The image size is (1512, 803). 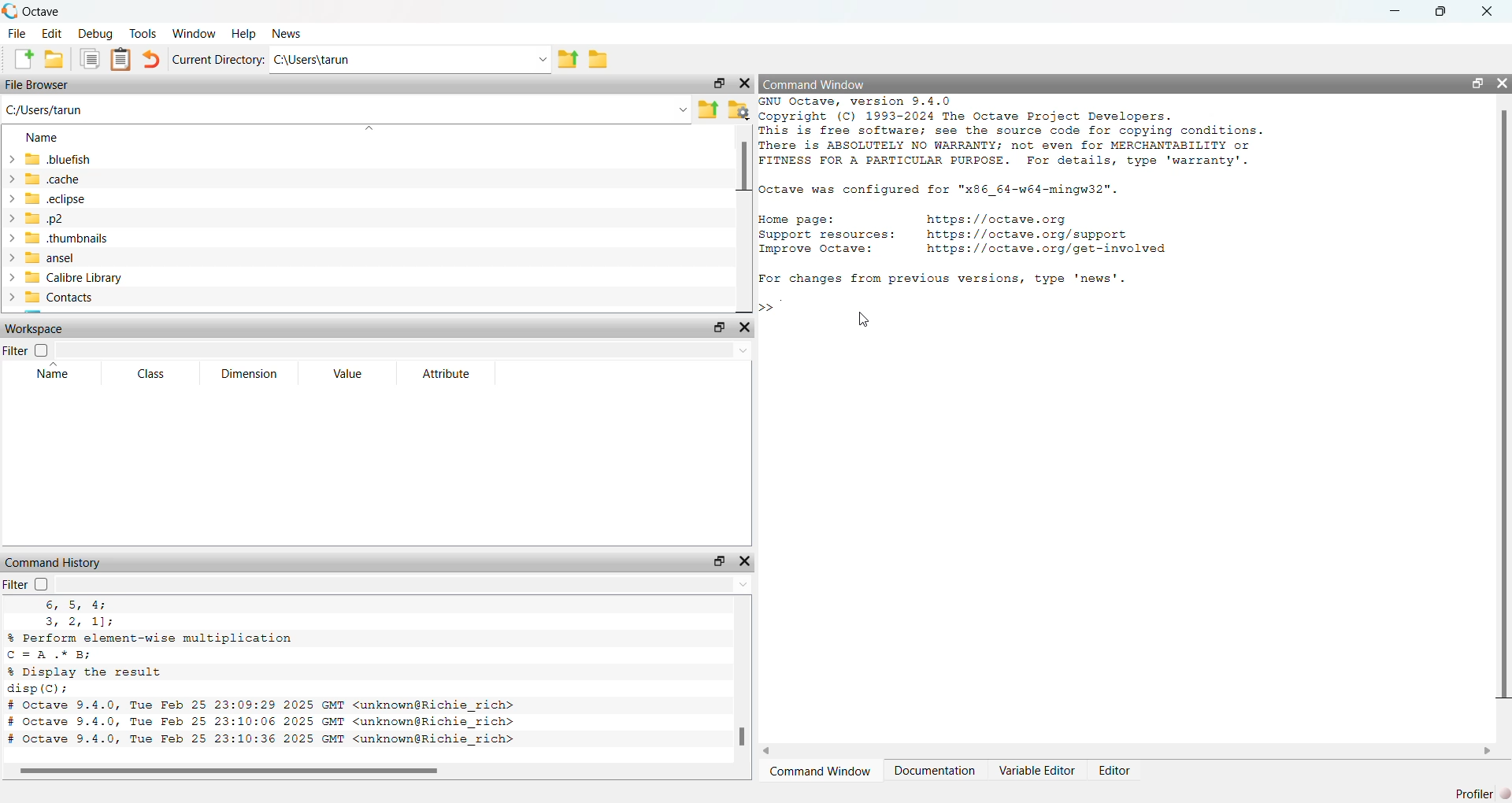 What do you see at coordinates (287, 33) in the screenshot?
I see `News` at bounding box center [287, 33].